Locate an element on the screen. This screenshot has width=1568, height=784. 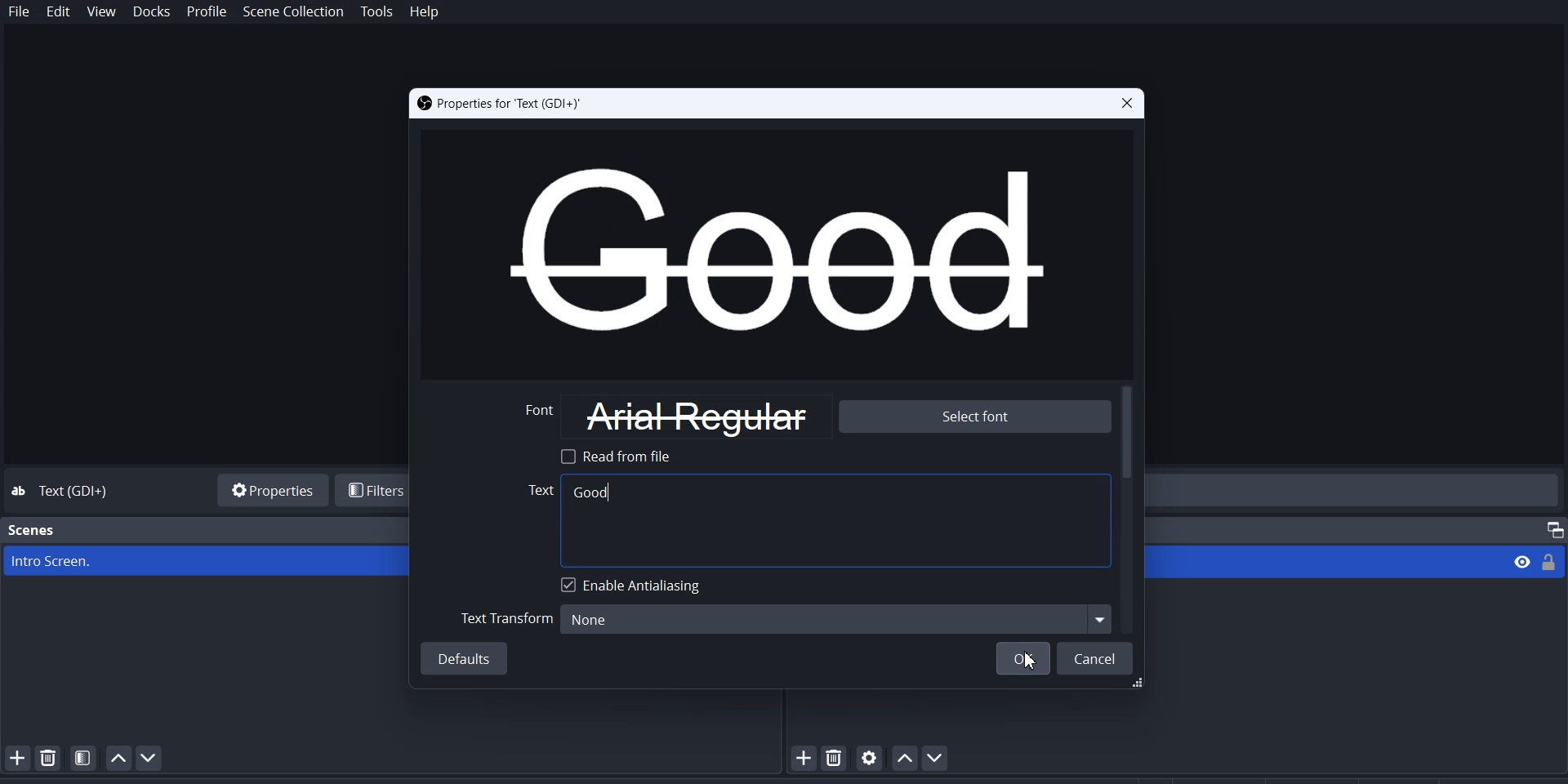
Intro Screen is located at coordinates (206, 561).